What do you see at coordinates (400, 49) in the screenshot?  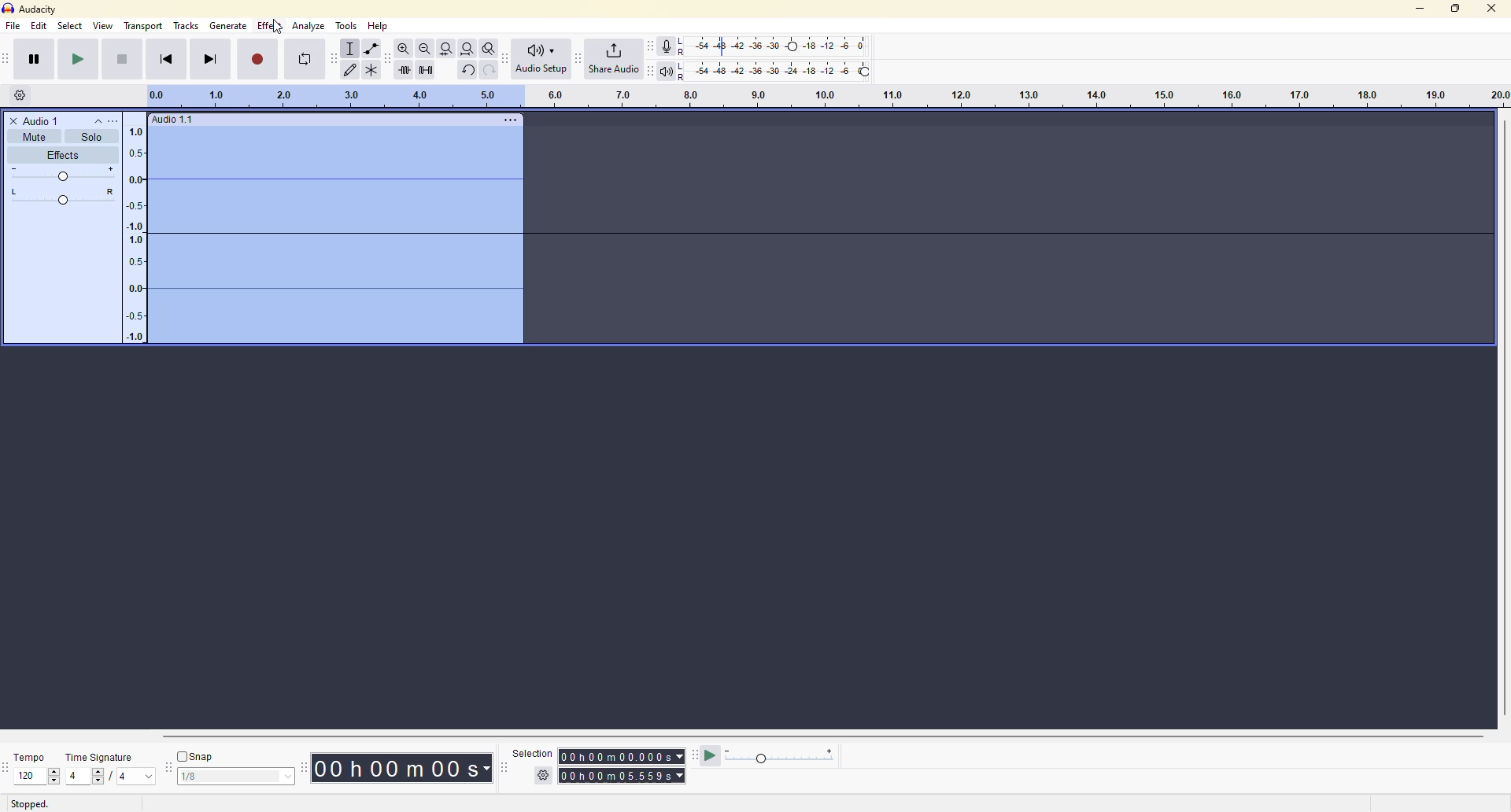 I see `zoom in` at bounding box center [400, 49].